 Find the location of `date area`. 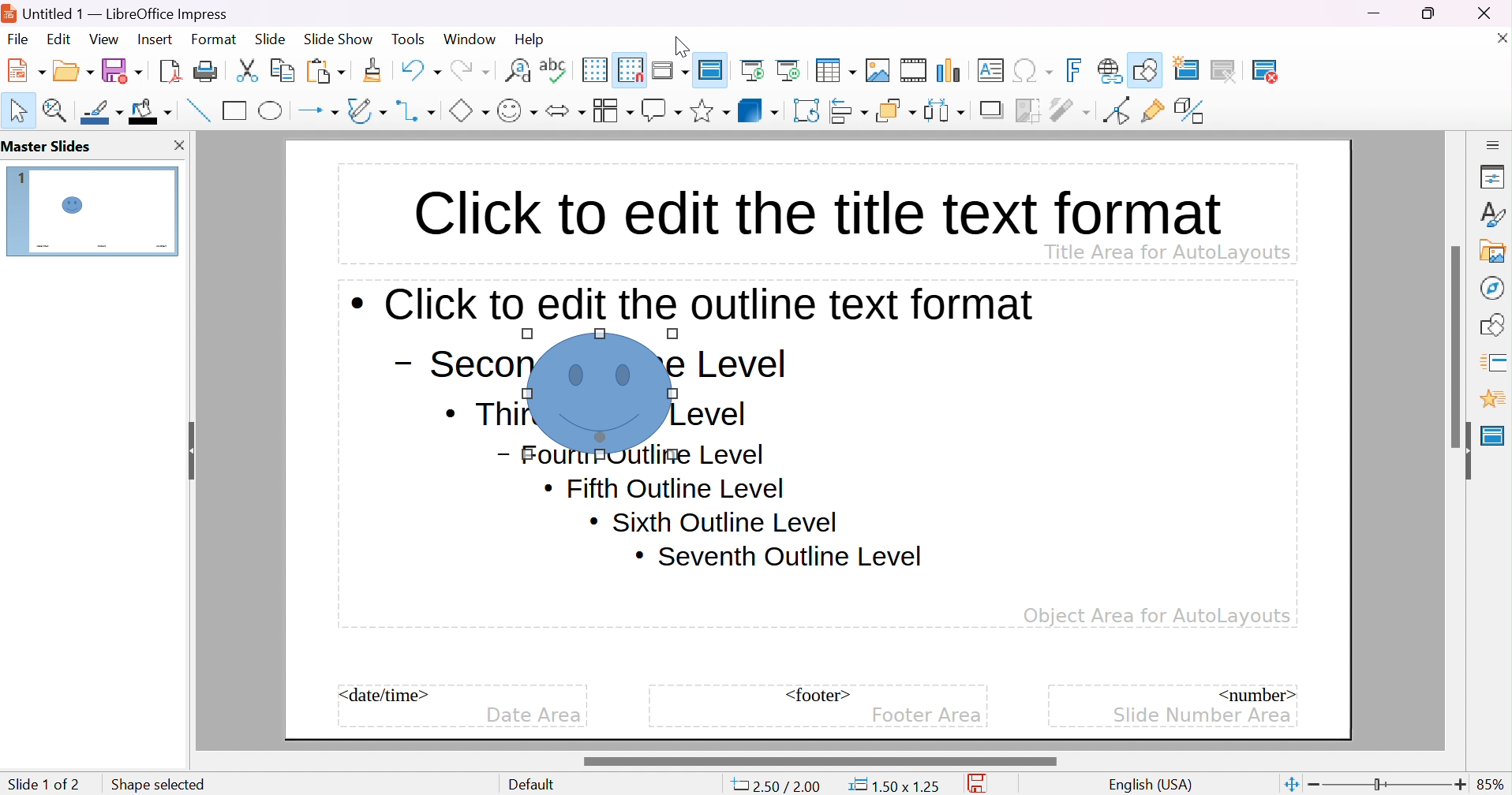

date area is located at coordinates (533, 716).